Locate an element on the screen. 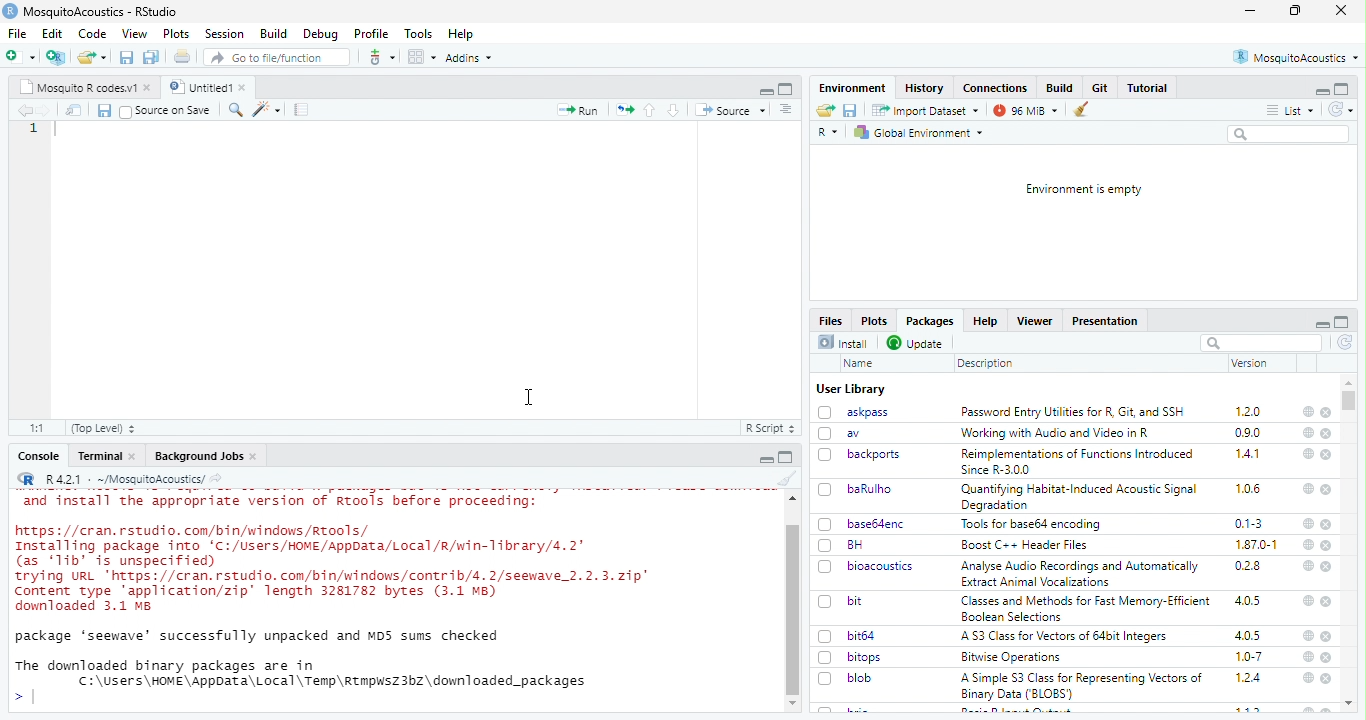 This screenshot has width=1366, height=720. bioacoustics is located at coordinates (883, 567).